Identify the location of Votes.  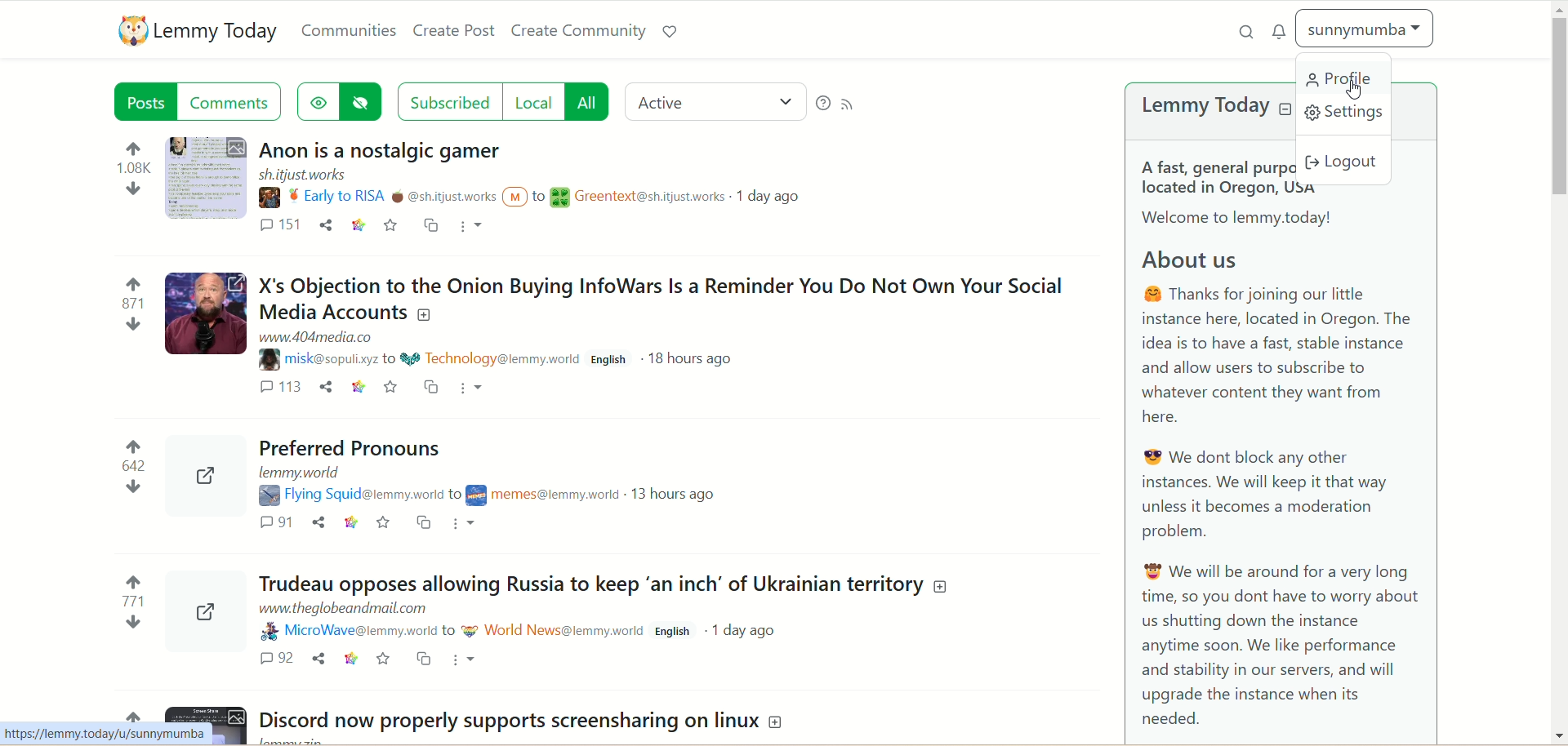
(131, 468).